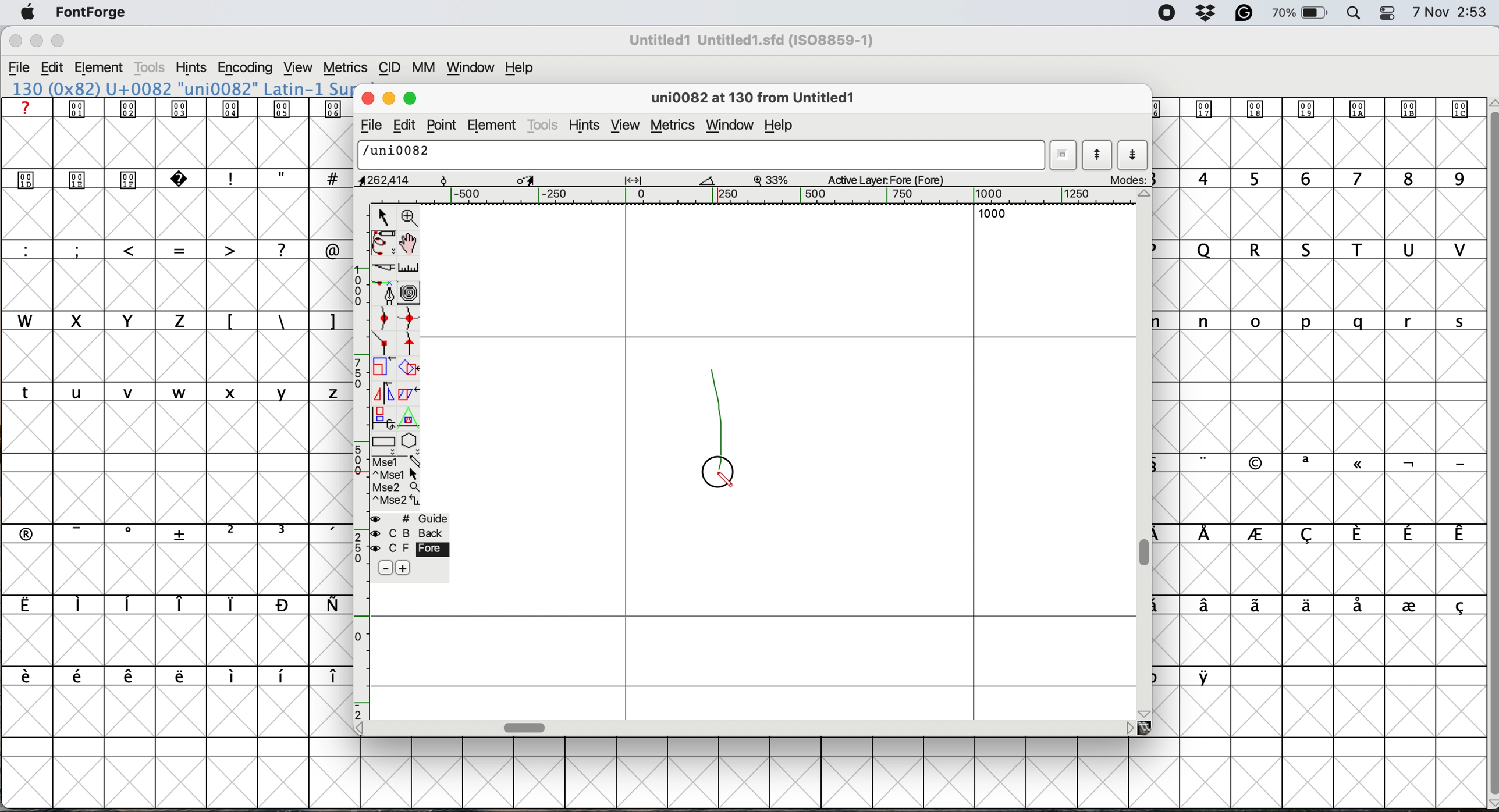 Image resolution: width=1499 pixels, height=812 pixels. Describe the element at coordinates (171, 393) in the screenshot. I see `lowercase letters` at that location.